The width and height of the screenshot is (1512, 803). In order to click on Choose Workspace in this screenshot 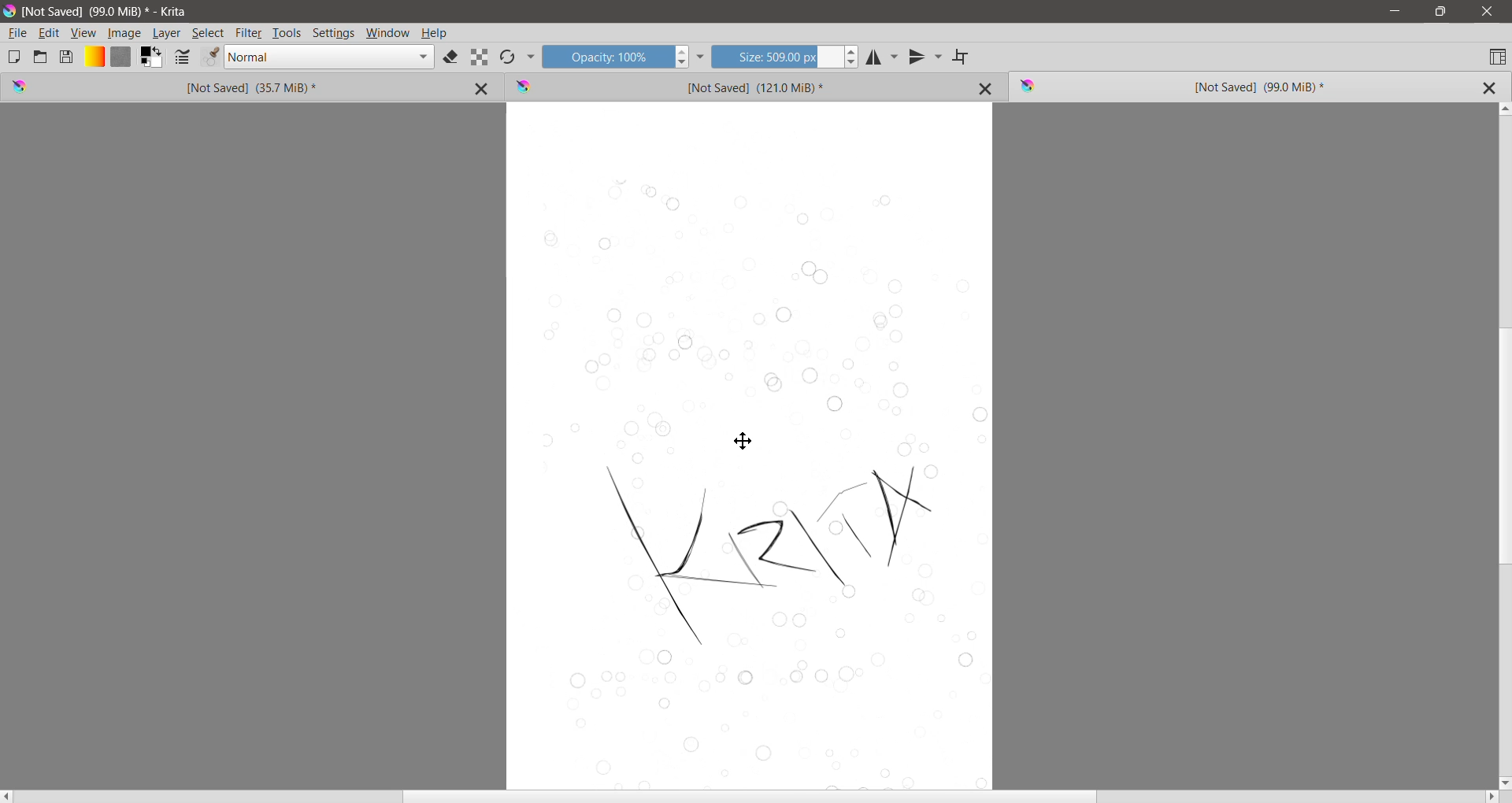, I will do `click(1497, 56)`.